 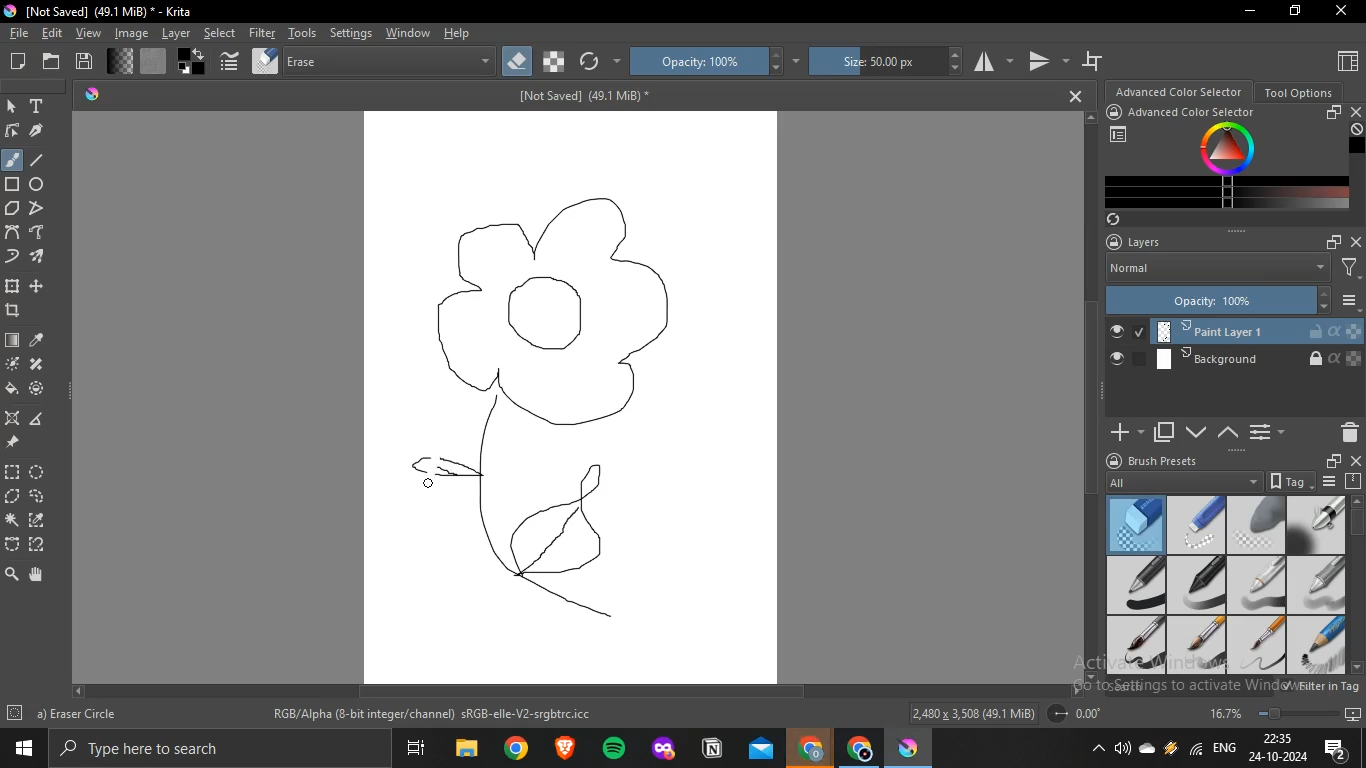 I want to click on polygonal selection tool, so click(x=15, y=496).